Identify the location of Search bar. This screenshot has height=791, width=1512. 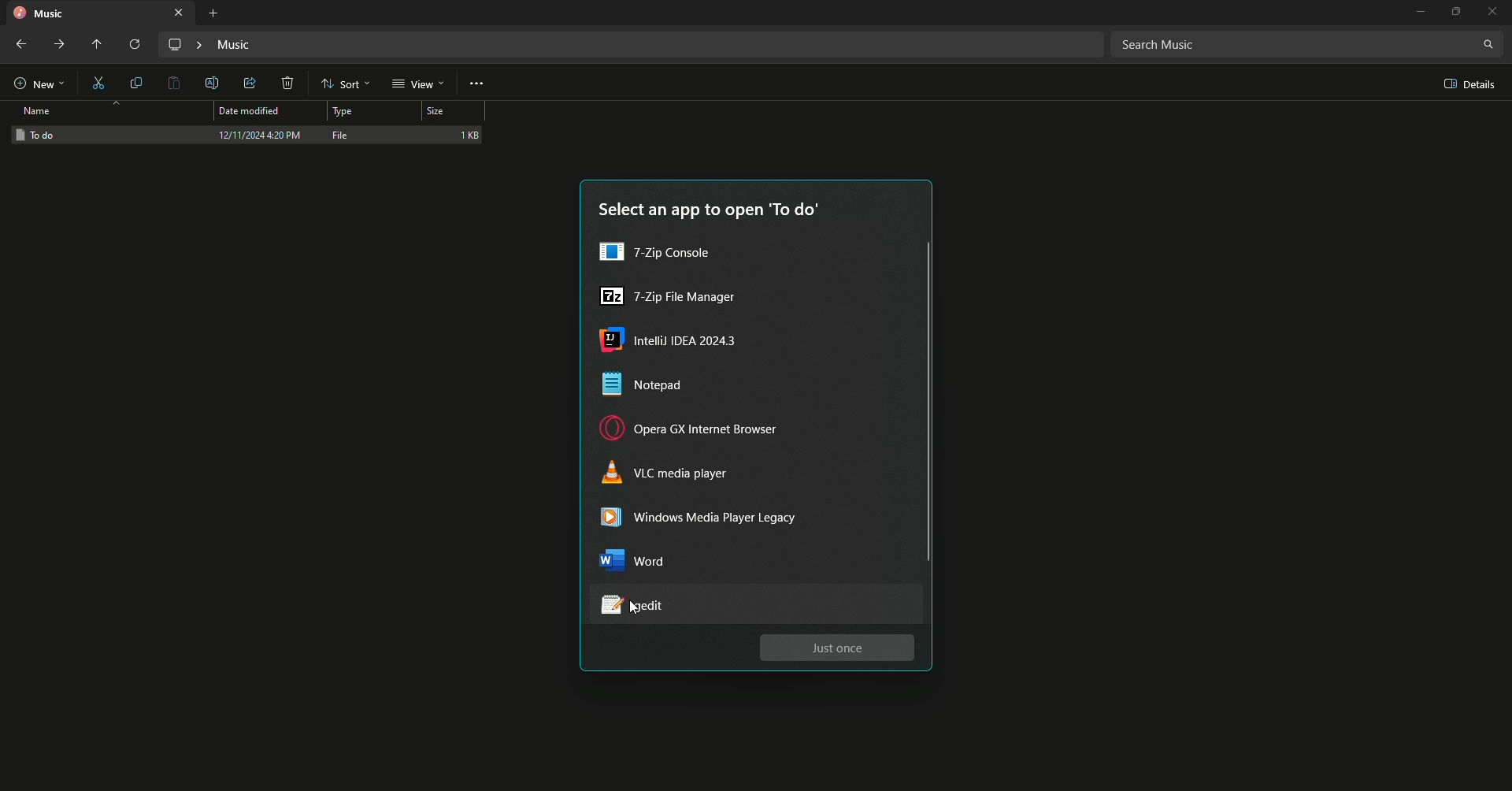
(1305, 44).